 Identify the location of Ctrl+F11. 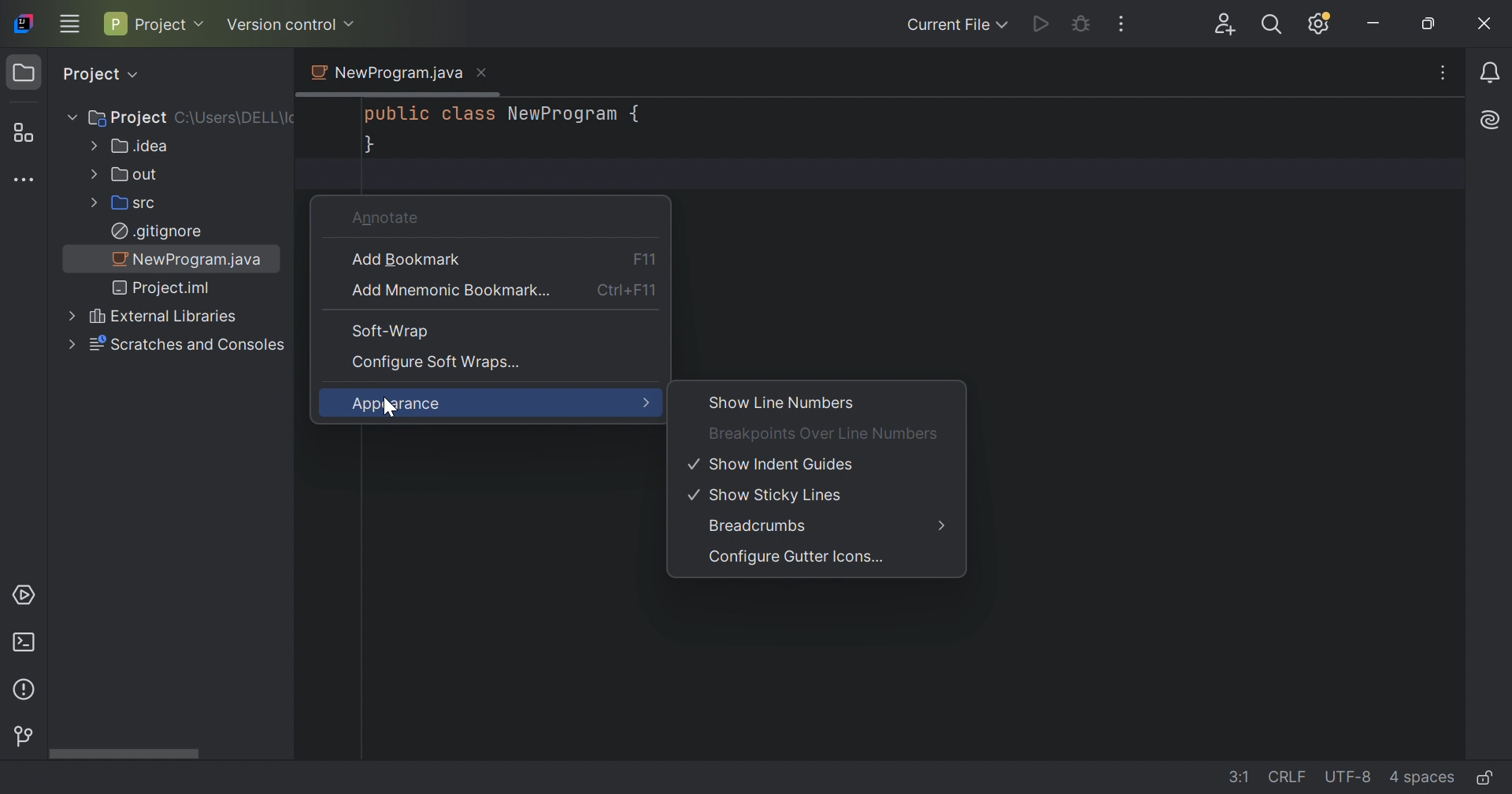
(629, 293).